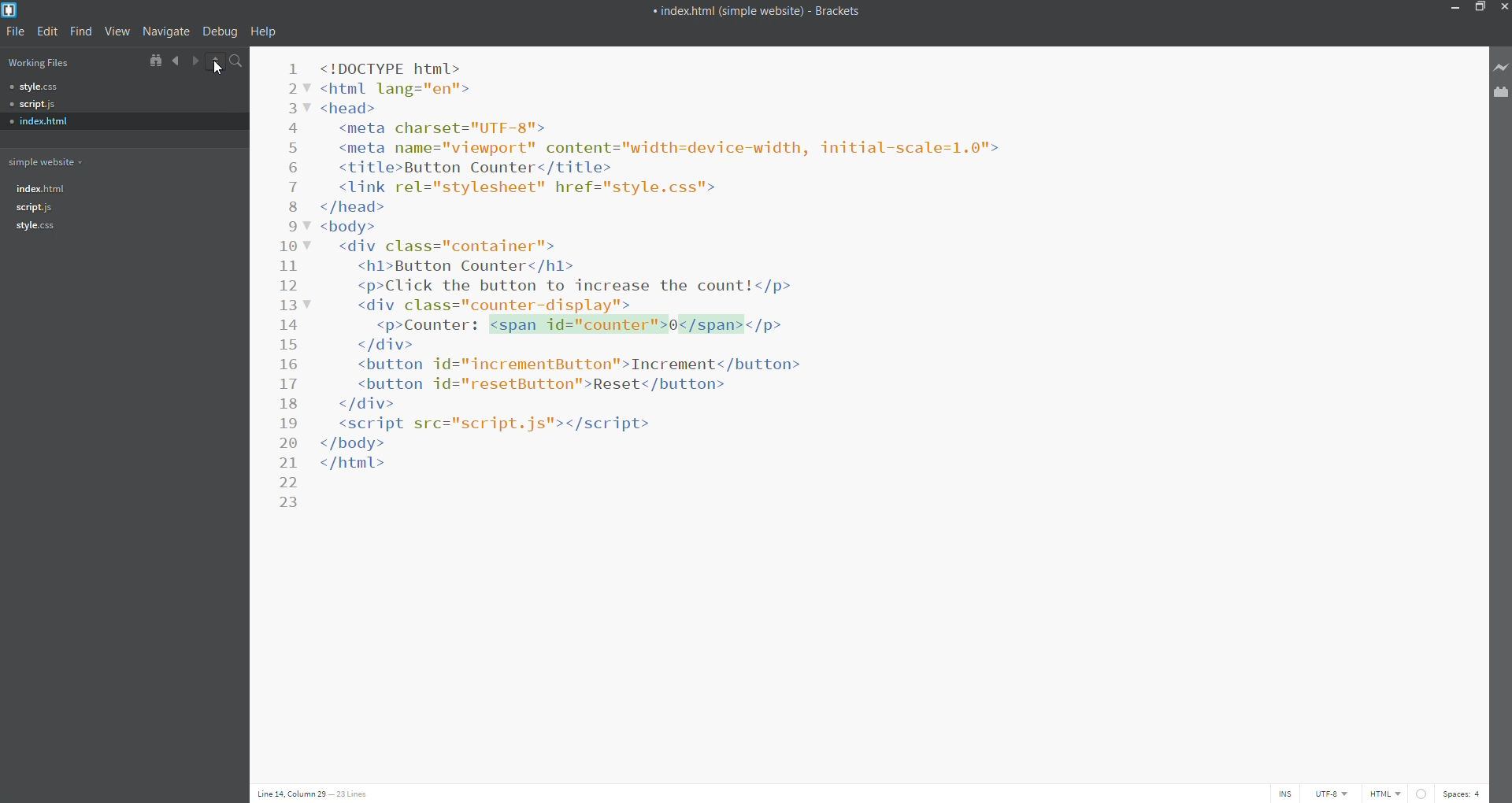 This screenshot has width=1512, height=803. Describe the element at coordinates (102, 102) in the screenshot. I see `script.js` at that location.